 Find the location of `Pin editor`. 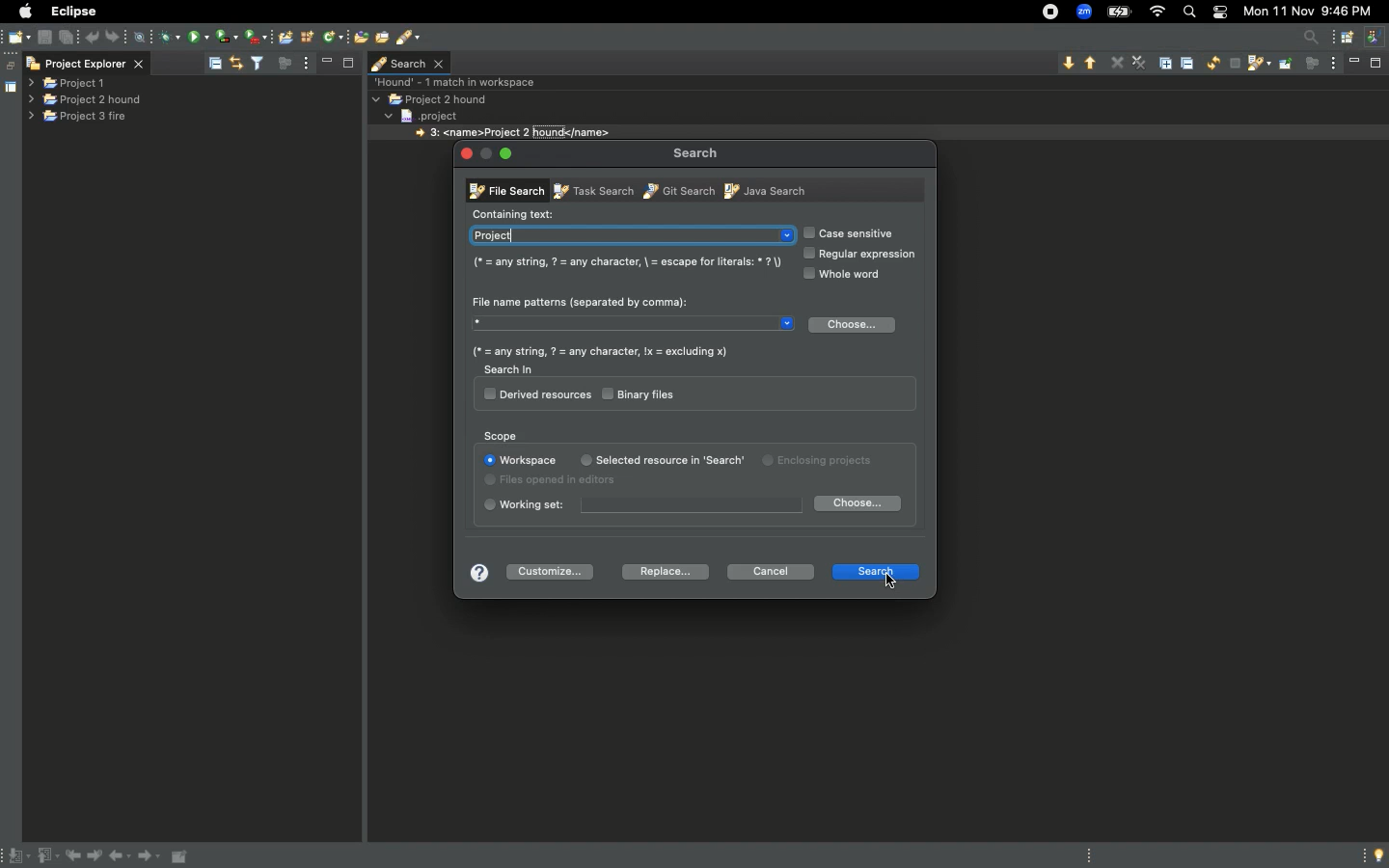

Pin editor is located at coordinates (181, 856).